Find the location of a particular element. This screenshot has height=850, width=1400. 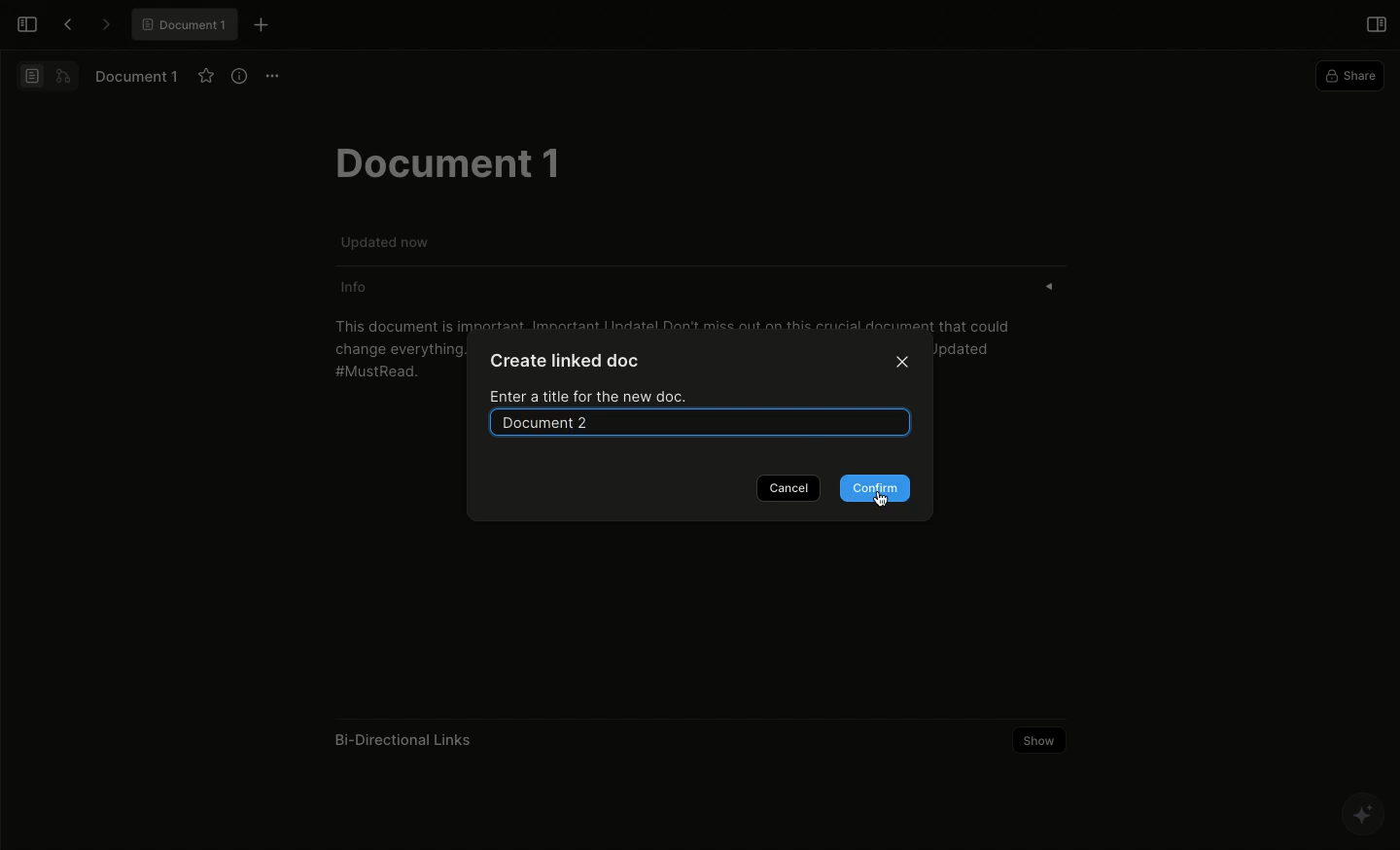

Open right panel is located at coordinates (1374, 24).